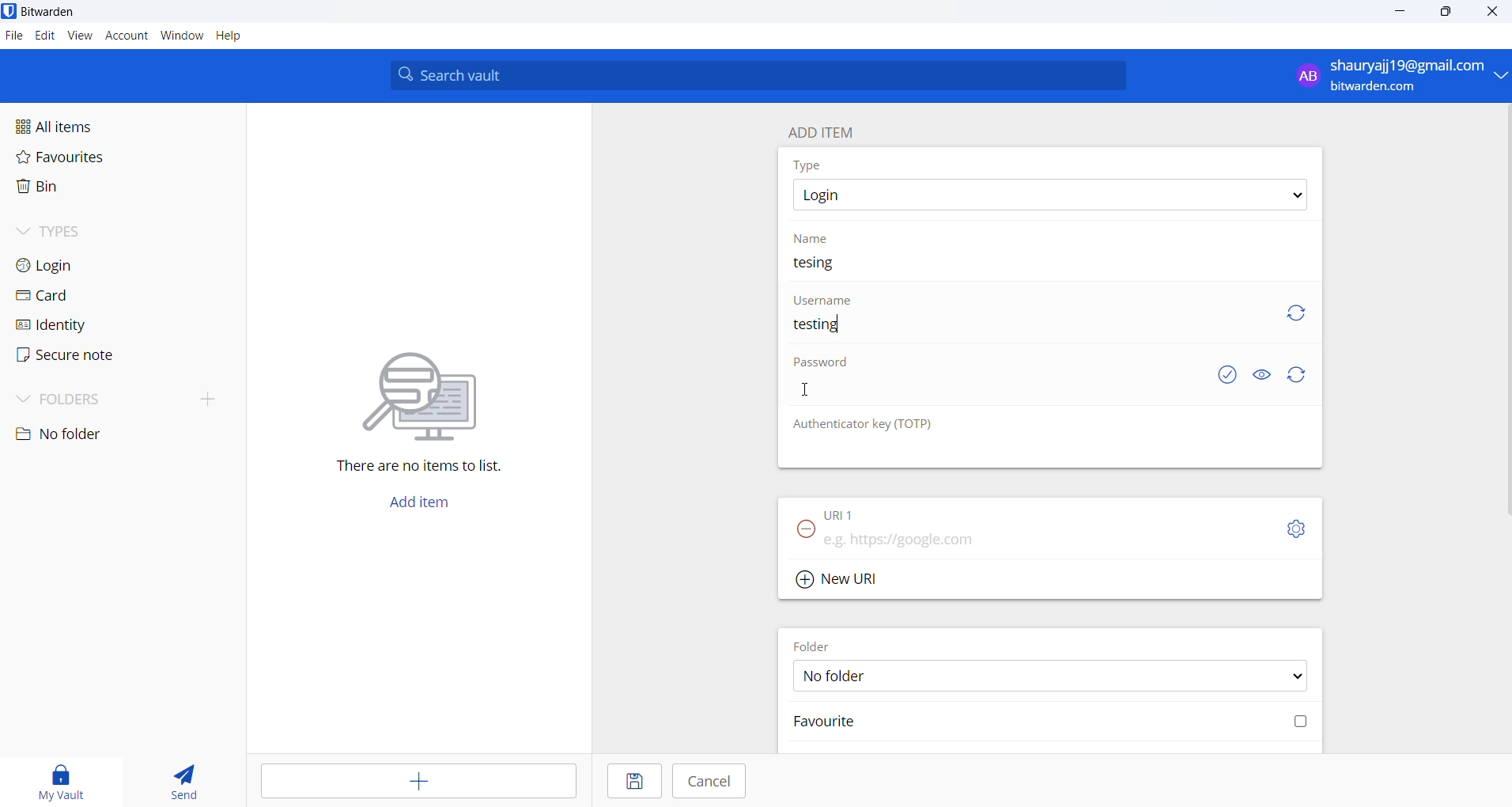 The width and height of the screenshot is (1512, 807). Describe the element at coordinates (633, 781) in the screenshot. I see `save` at that location.